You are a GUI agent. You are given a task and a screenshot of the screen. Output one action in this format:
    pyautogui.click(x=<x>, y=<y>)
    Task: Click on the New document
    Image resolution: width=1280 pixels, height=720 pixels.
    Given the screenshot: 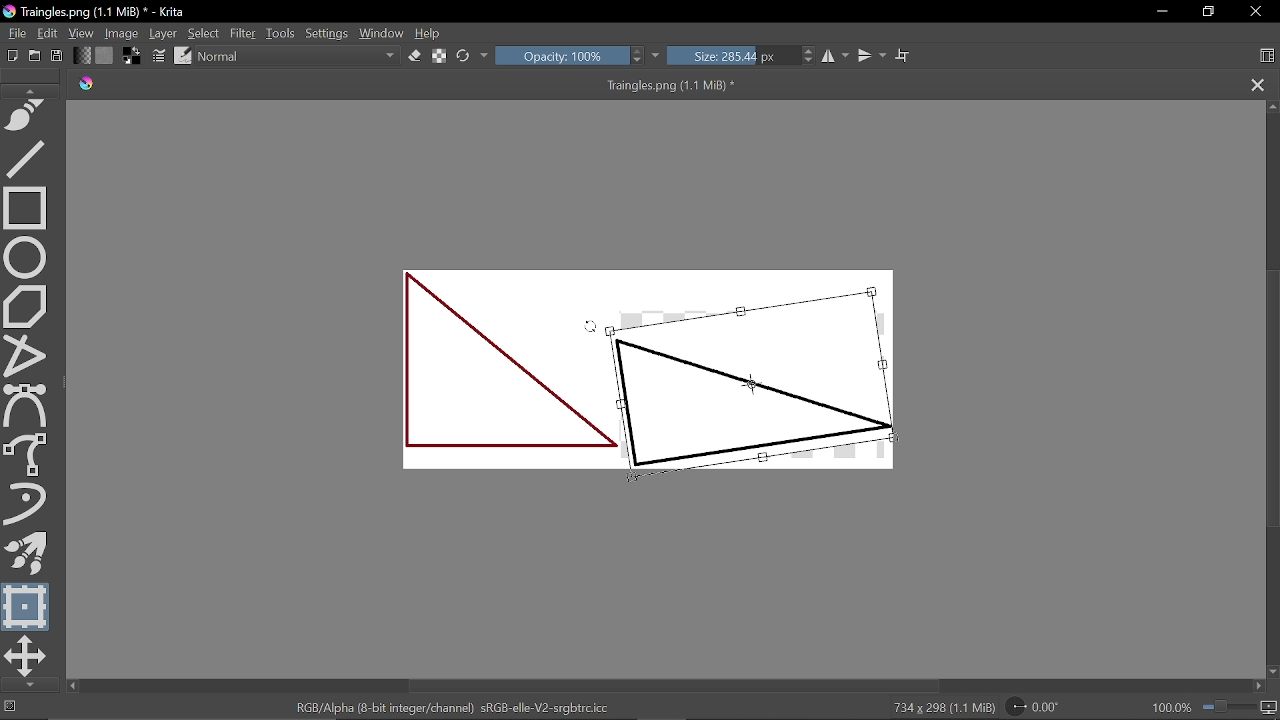 What is the action you would take?
    pyautogui.click(x=10, y=54)
    